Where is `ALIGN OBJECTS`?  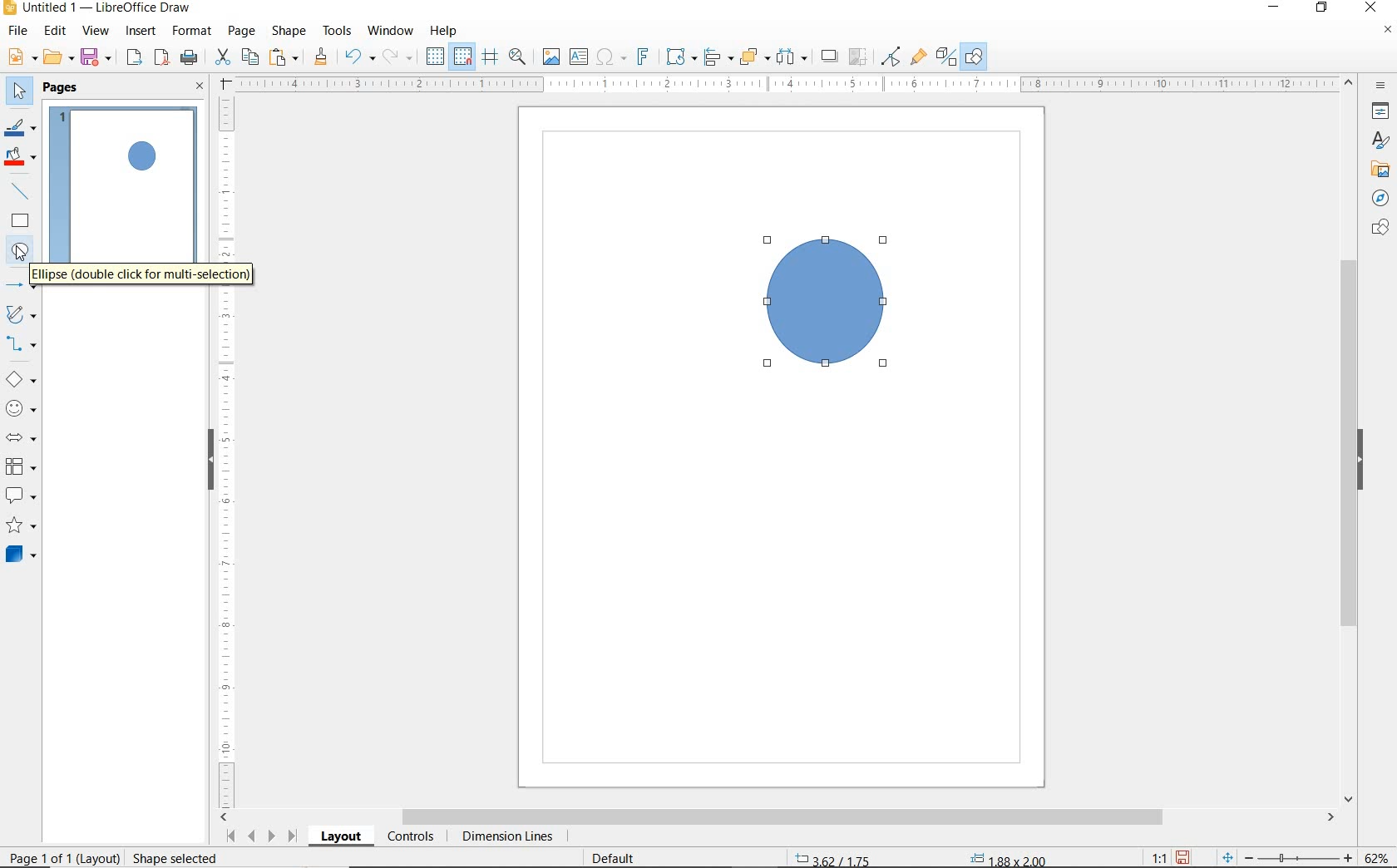 ALIGN OBJECTS is located at coordinates (717, 59).